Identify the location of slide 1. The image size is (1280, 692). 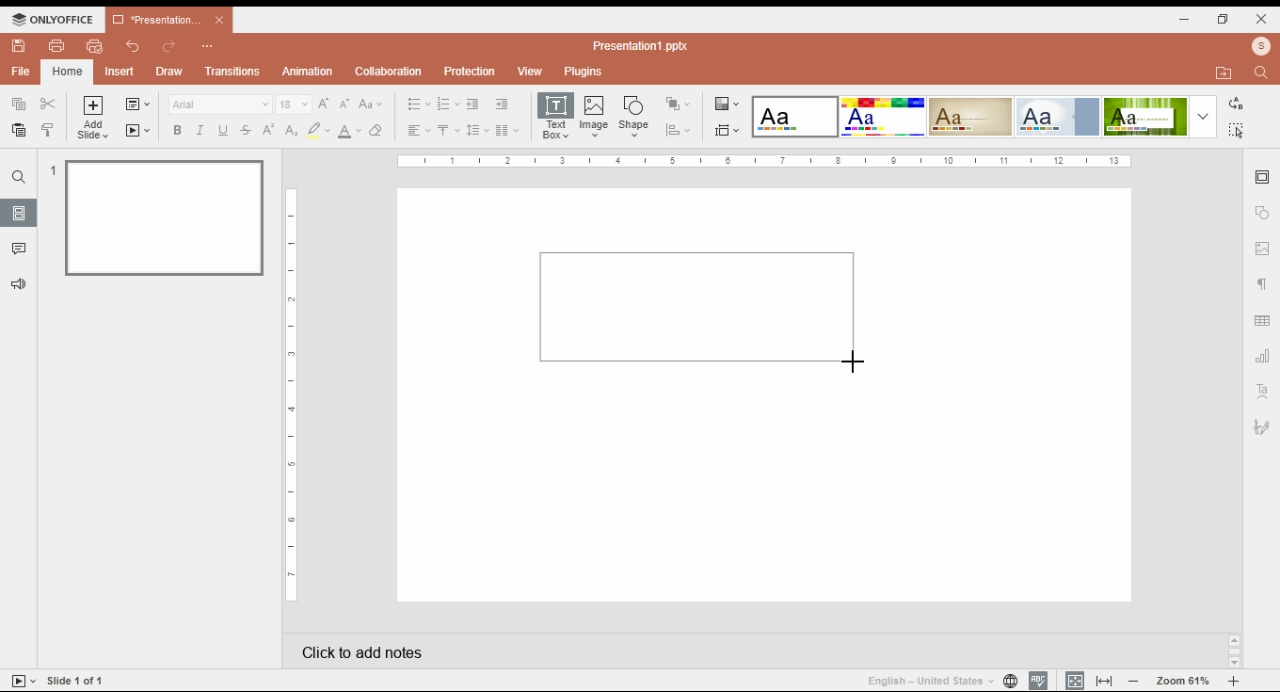
(164, 219).